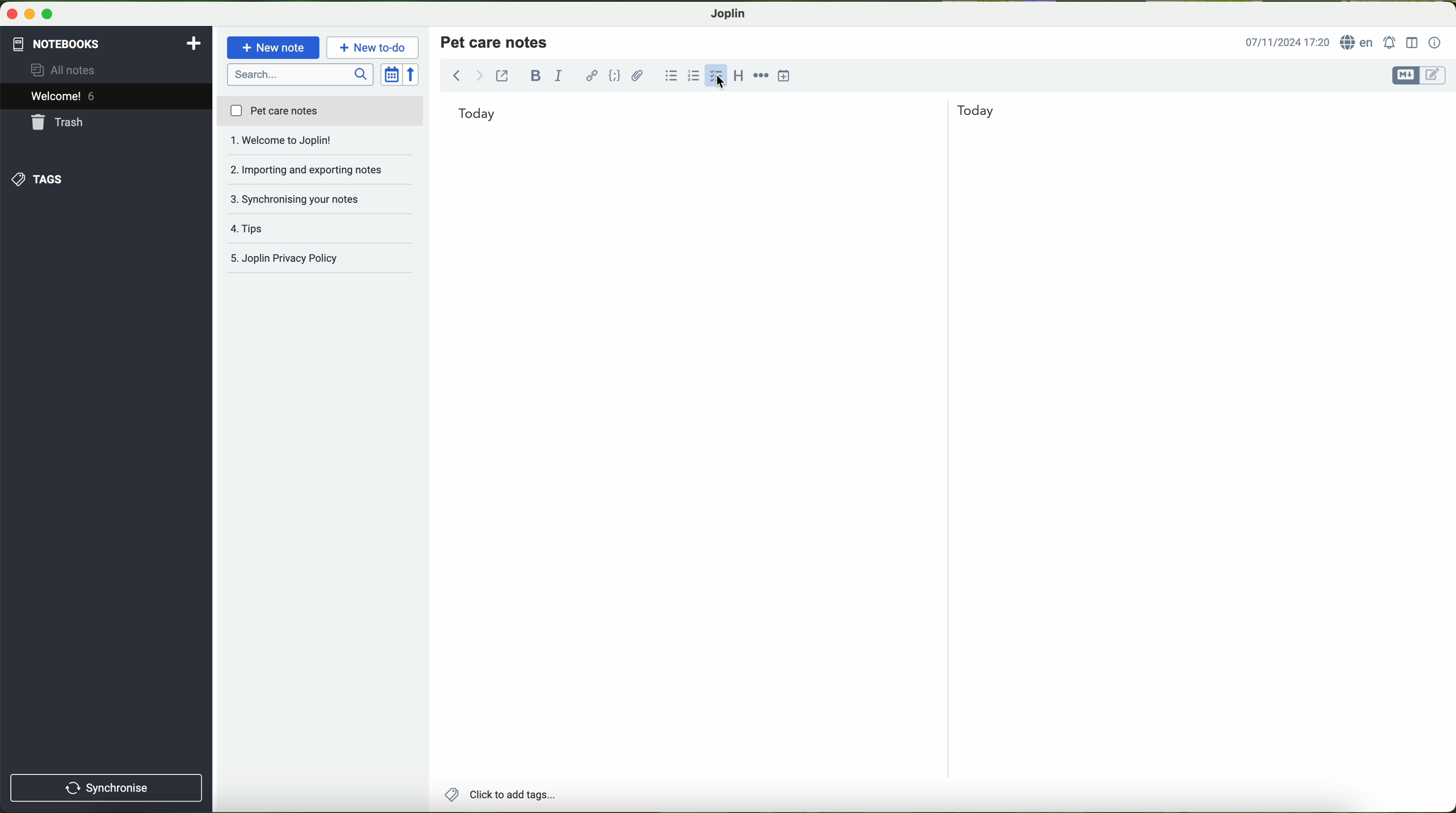 The height and width of the screenshot is (813, 1456). Describe the element at coordinates (557, 76) in the screenshot. I see `italic` at that location.